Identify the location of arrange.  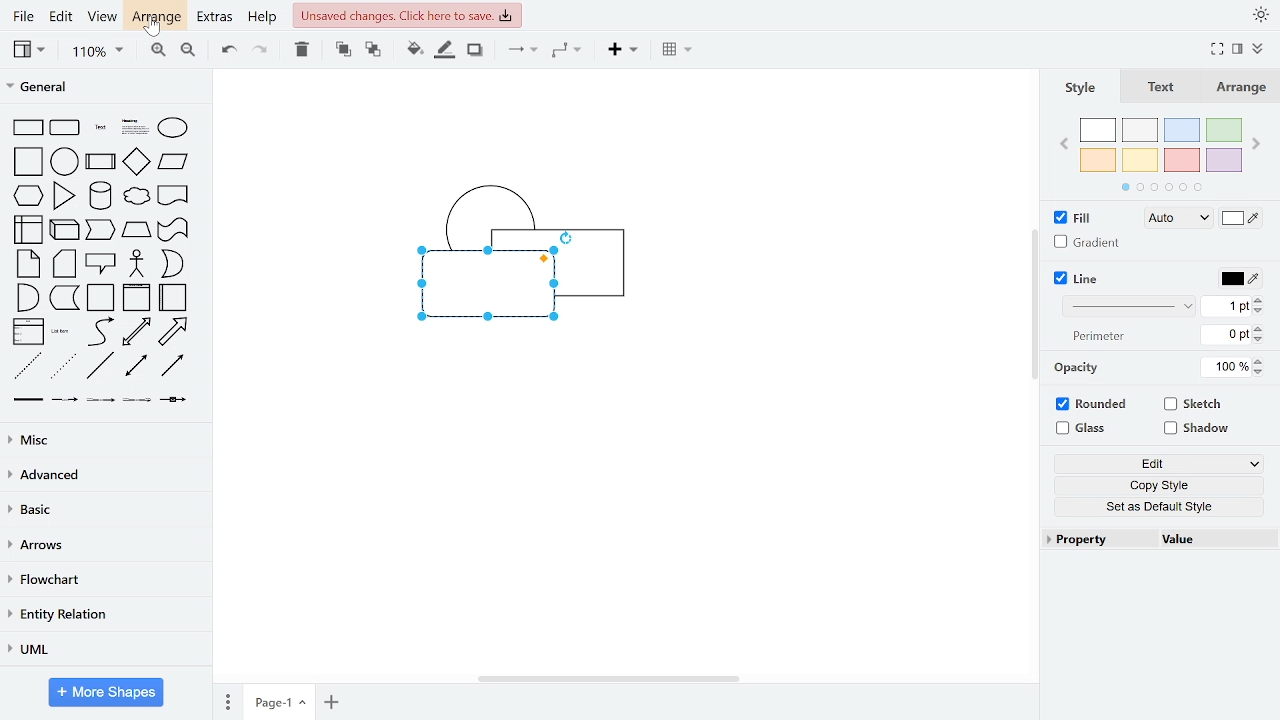
(1241, 88).